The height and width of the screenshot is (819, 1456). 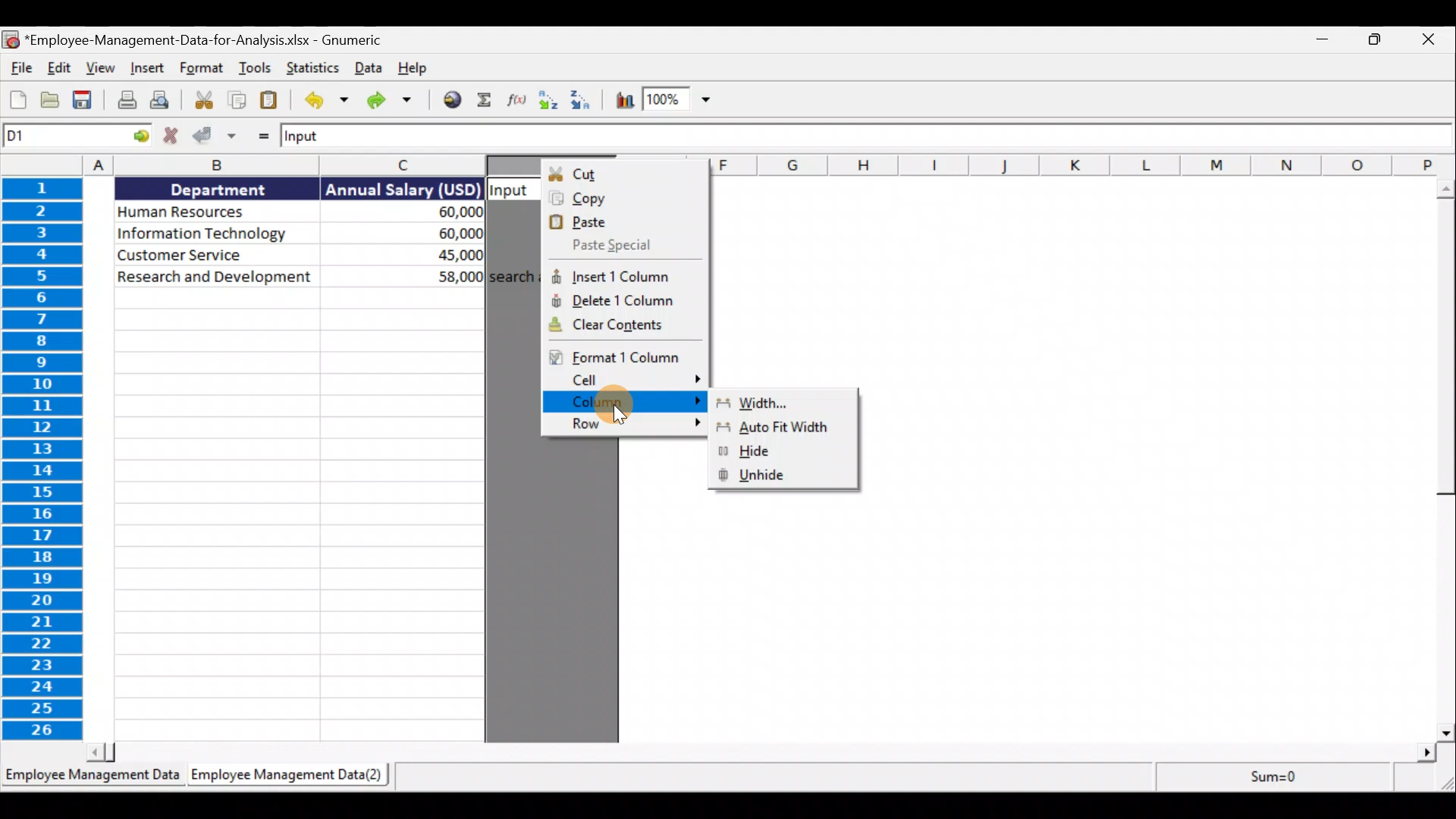 I want to click on Insert hyperlink, so click(x=450, y=100).